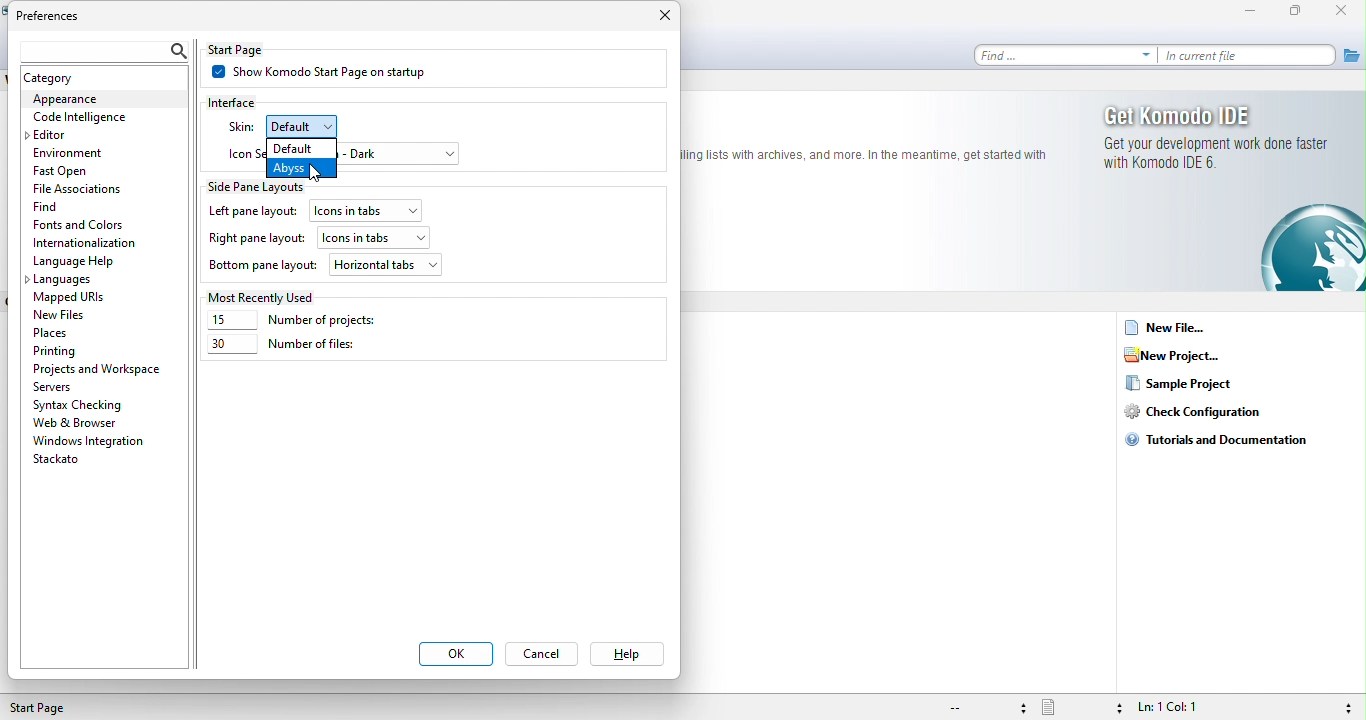 Image resolution: width=1366 pixels, height=720 pixels. What do you see at coordinates (256, 240) in the screenshot?
I see `right pane layout` at bounding box center [256, 240].